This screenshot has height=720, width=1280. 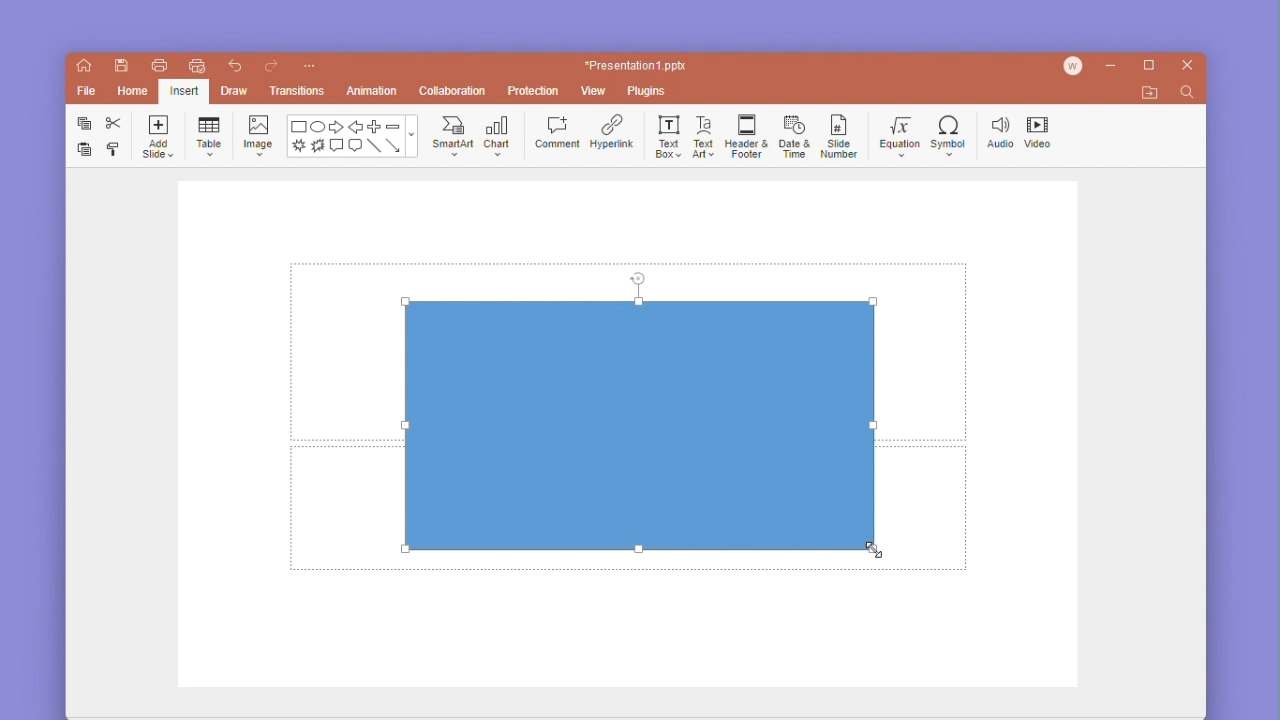 I want to click on print file, so click(x=155, y=65).